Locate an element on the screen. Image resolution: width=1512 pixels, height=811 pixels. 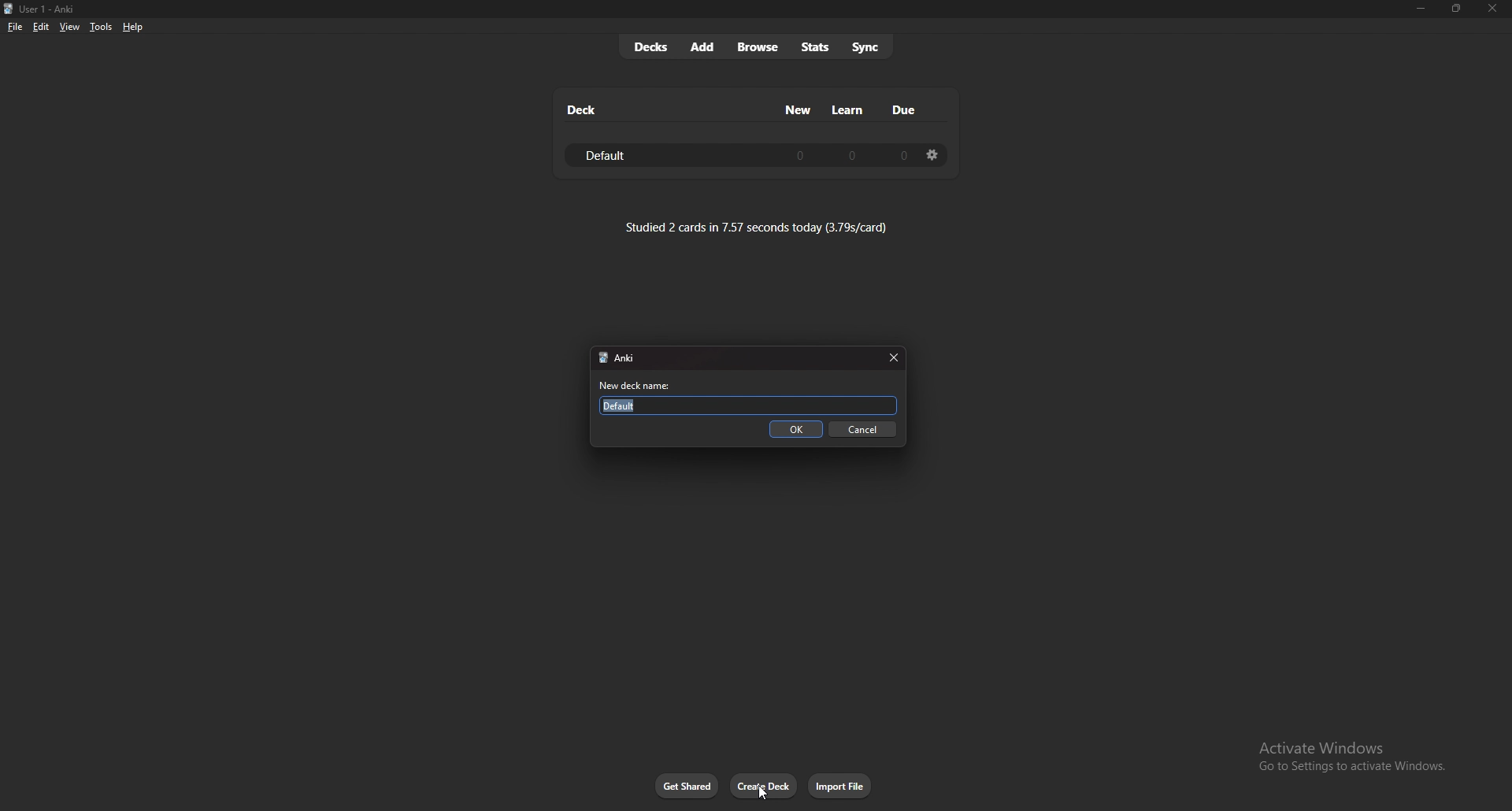
0 is located at coordinates (800, 154).